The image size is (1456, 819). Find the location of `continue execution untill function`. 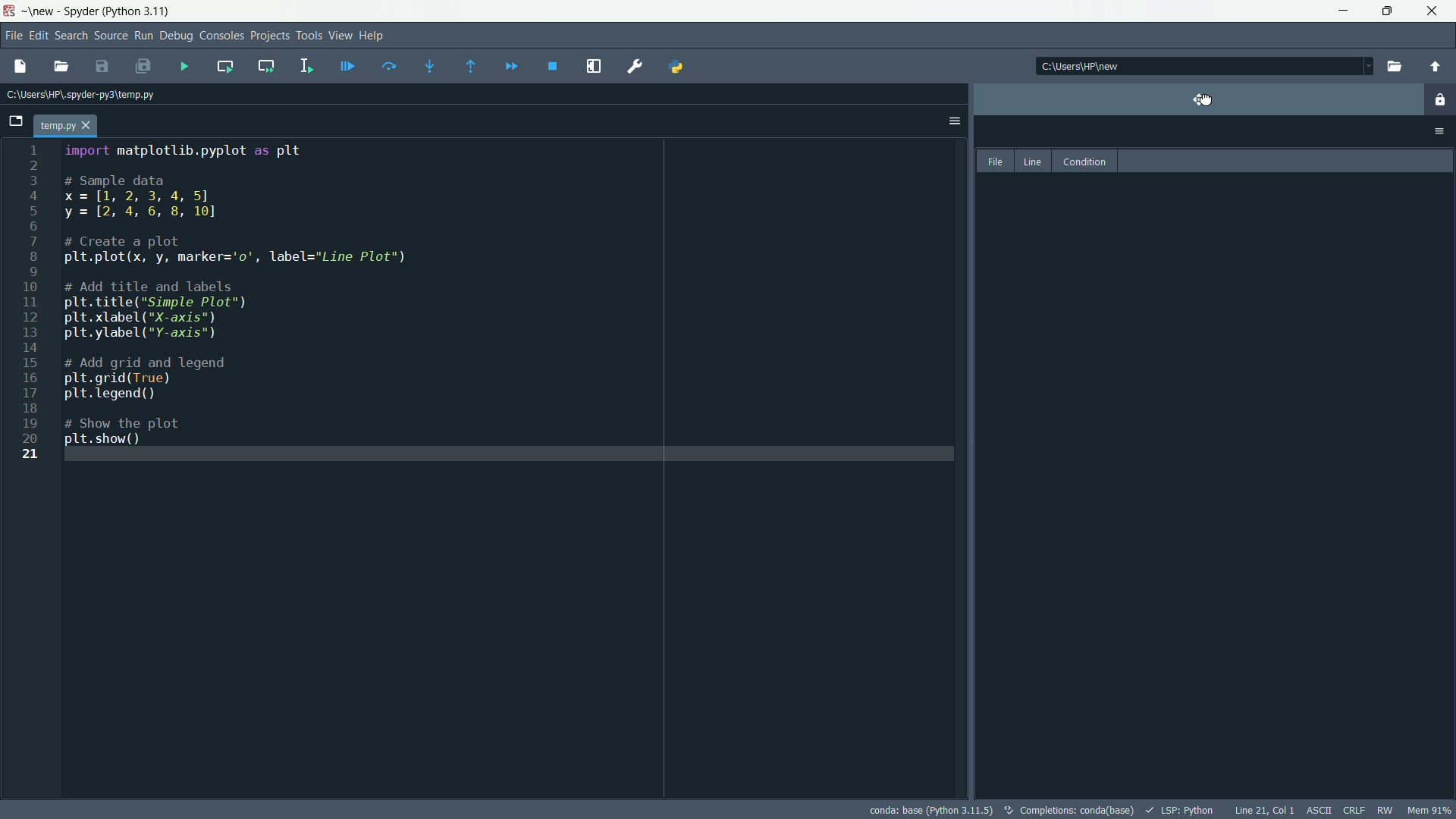

continue execution untill function is located at coordinates (468, 66).